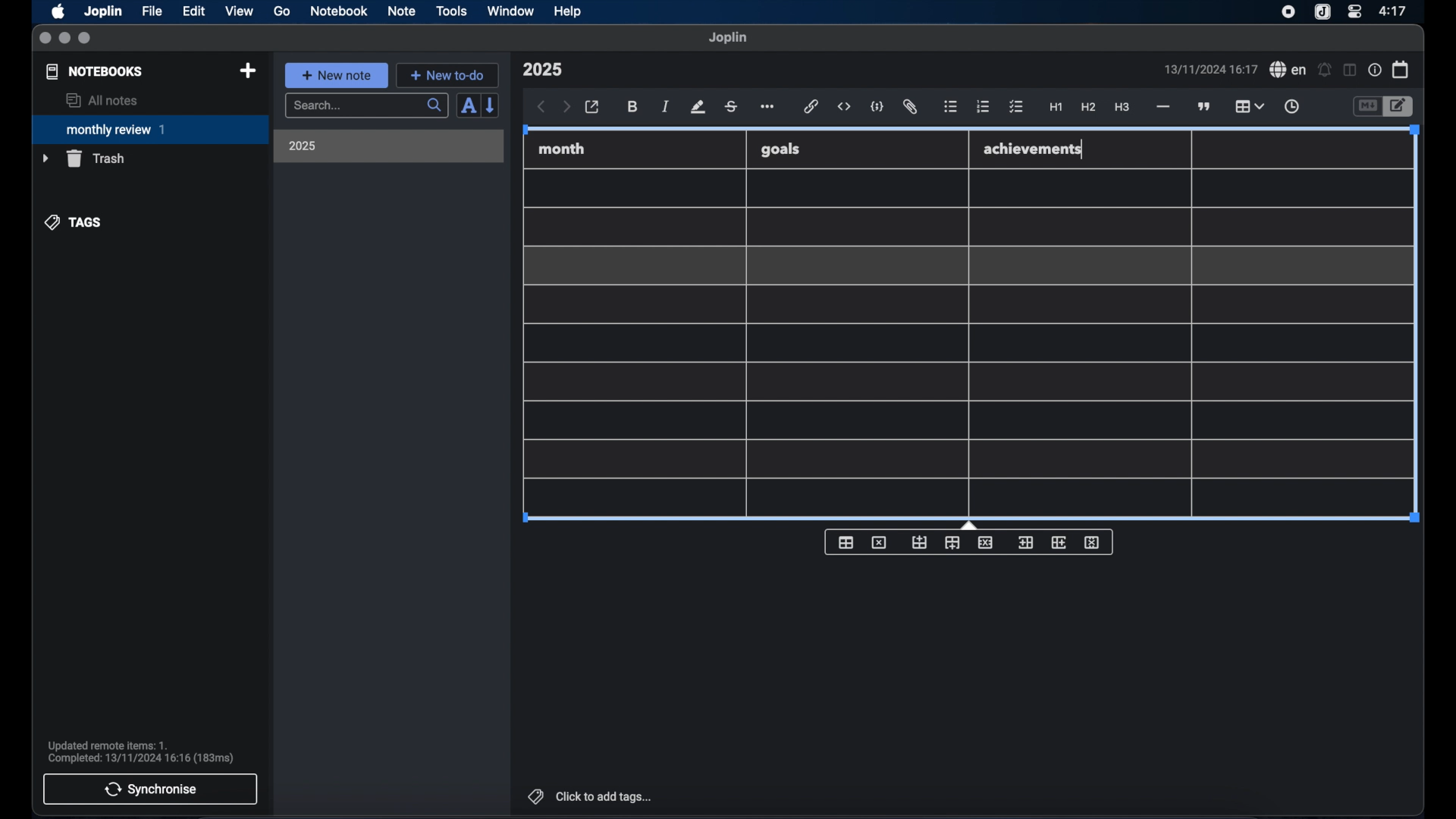  Describe the element at coordinates (846, 542) in the screenshot. I see `insert table` at that location.